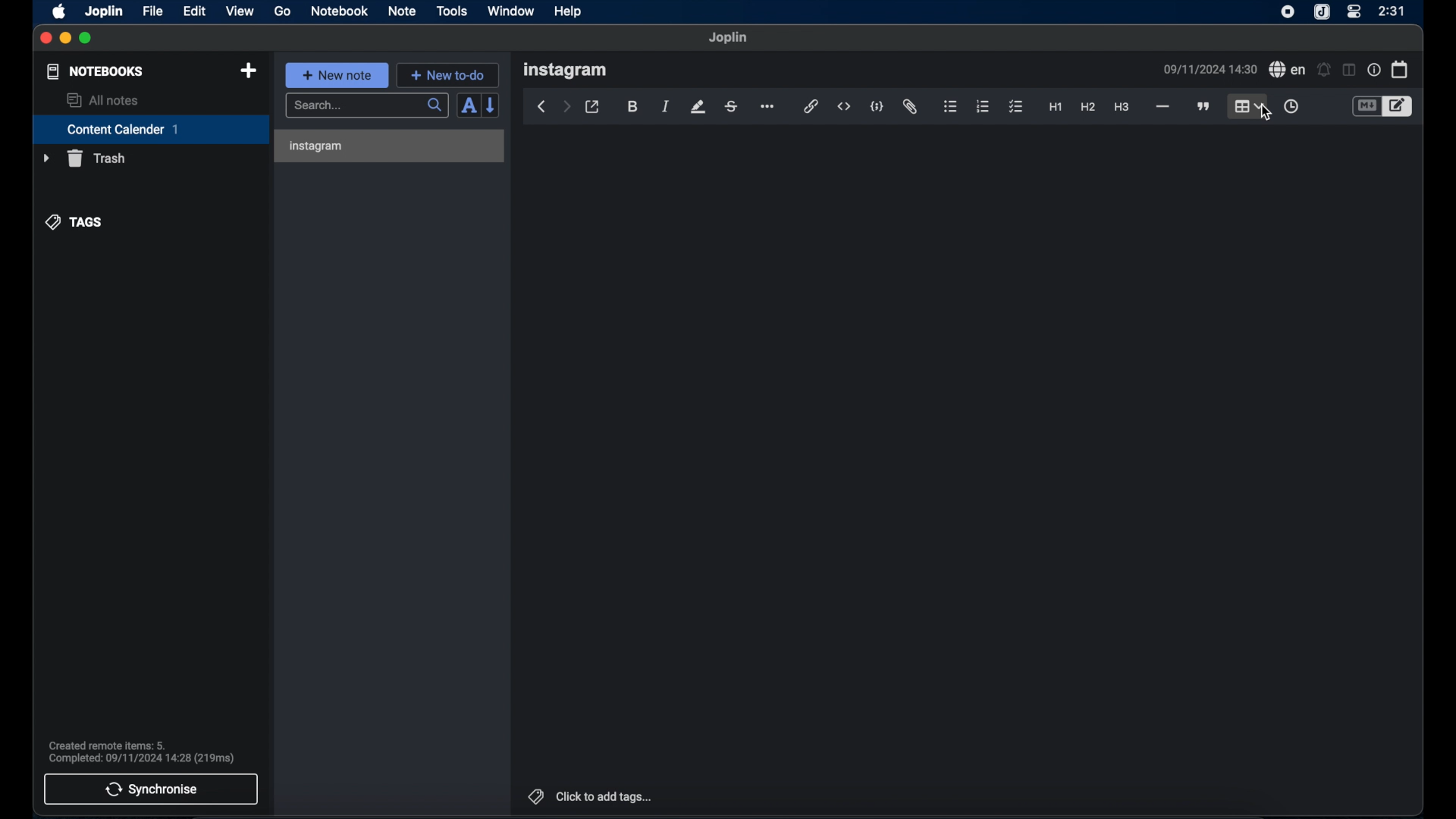  I want to click on spell check, so click(1288, 69).